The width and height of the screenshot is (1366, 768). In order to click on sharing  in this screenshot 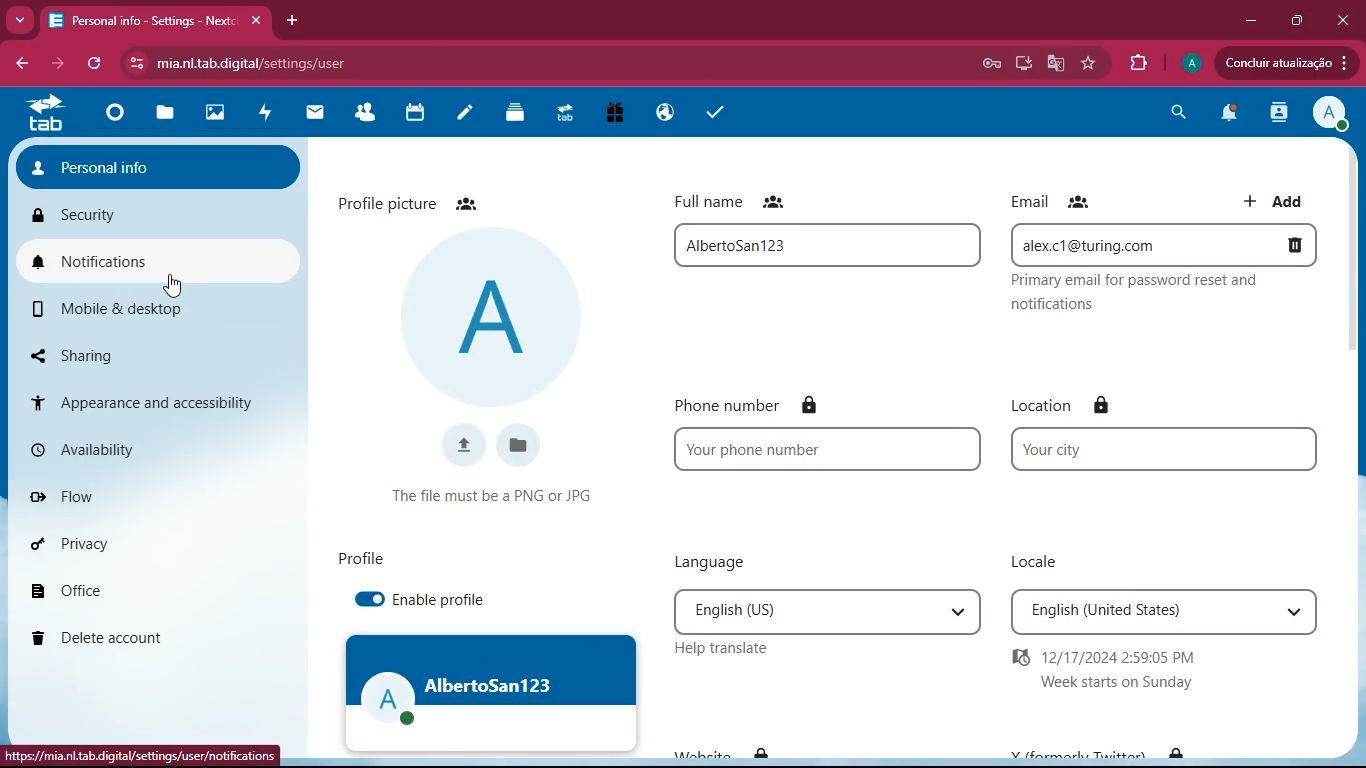, I will do `click(80, 349)`.